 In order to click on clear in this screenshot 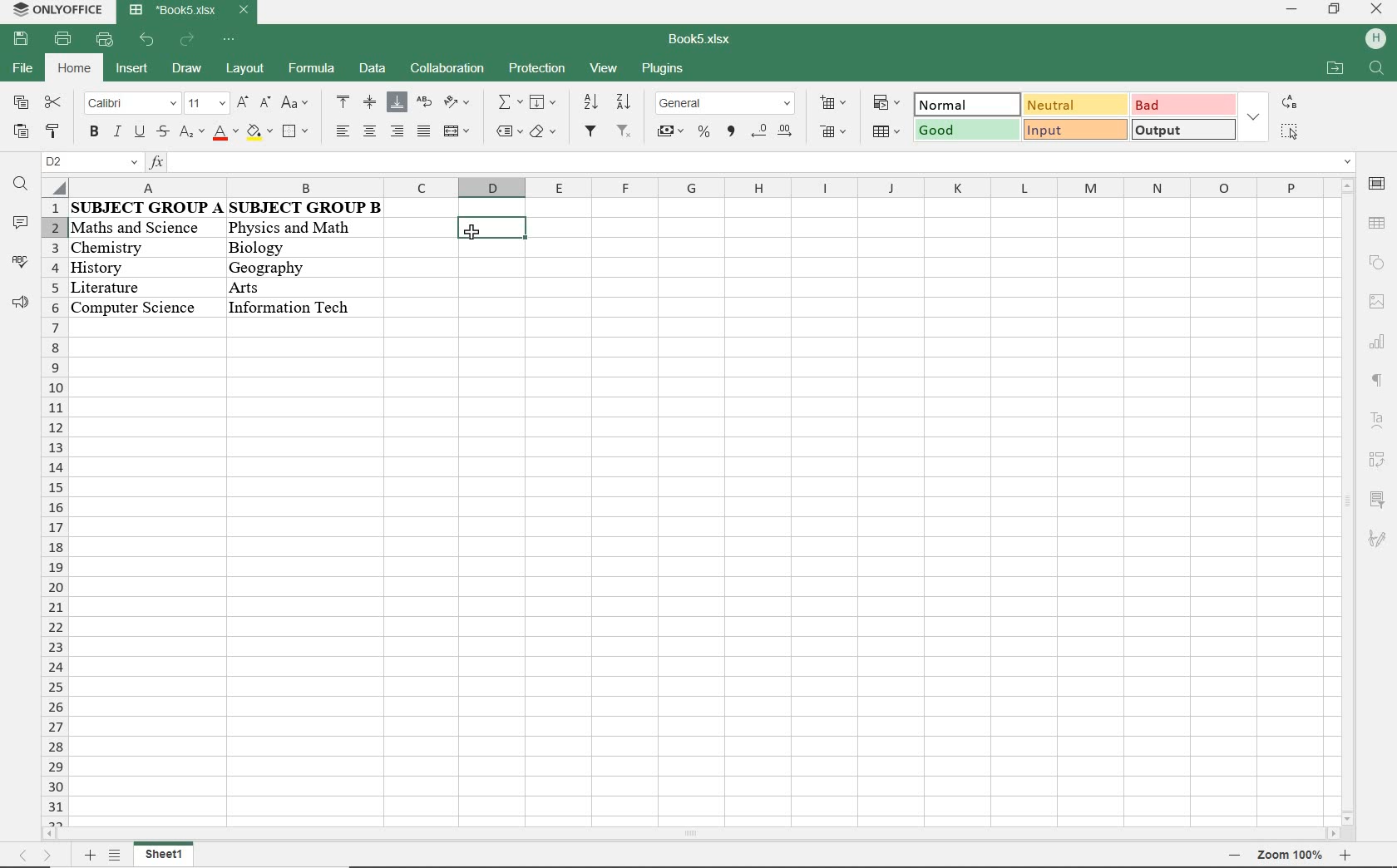, I will do `click(545, 133)`.